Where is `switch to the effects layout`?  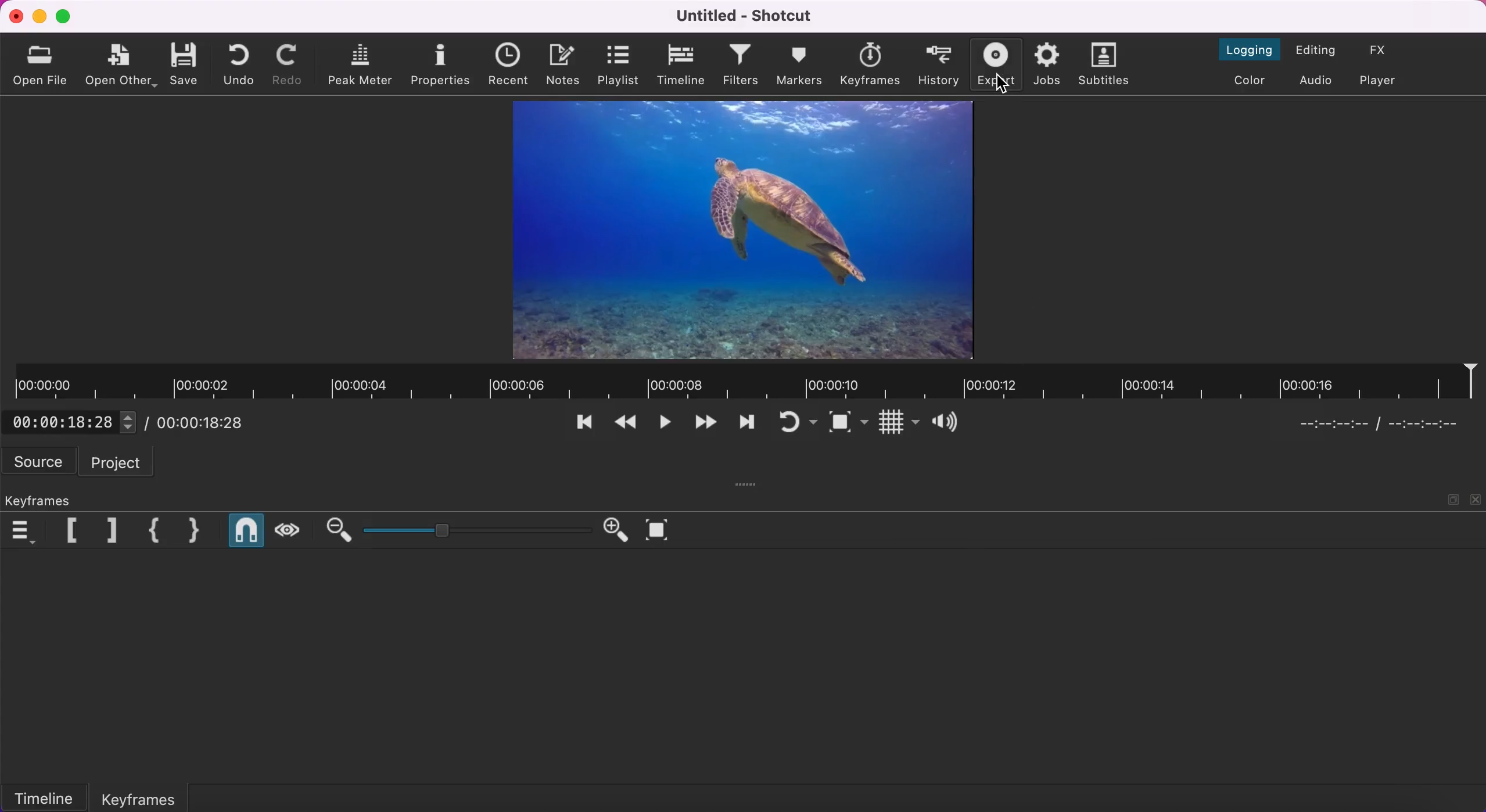
switch to the effects layout is located at coordinates (1387, 50).